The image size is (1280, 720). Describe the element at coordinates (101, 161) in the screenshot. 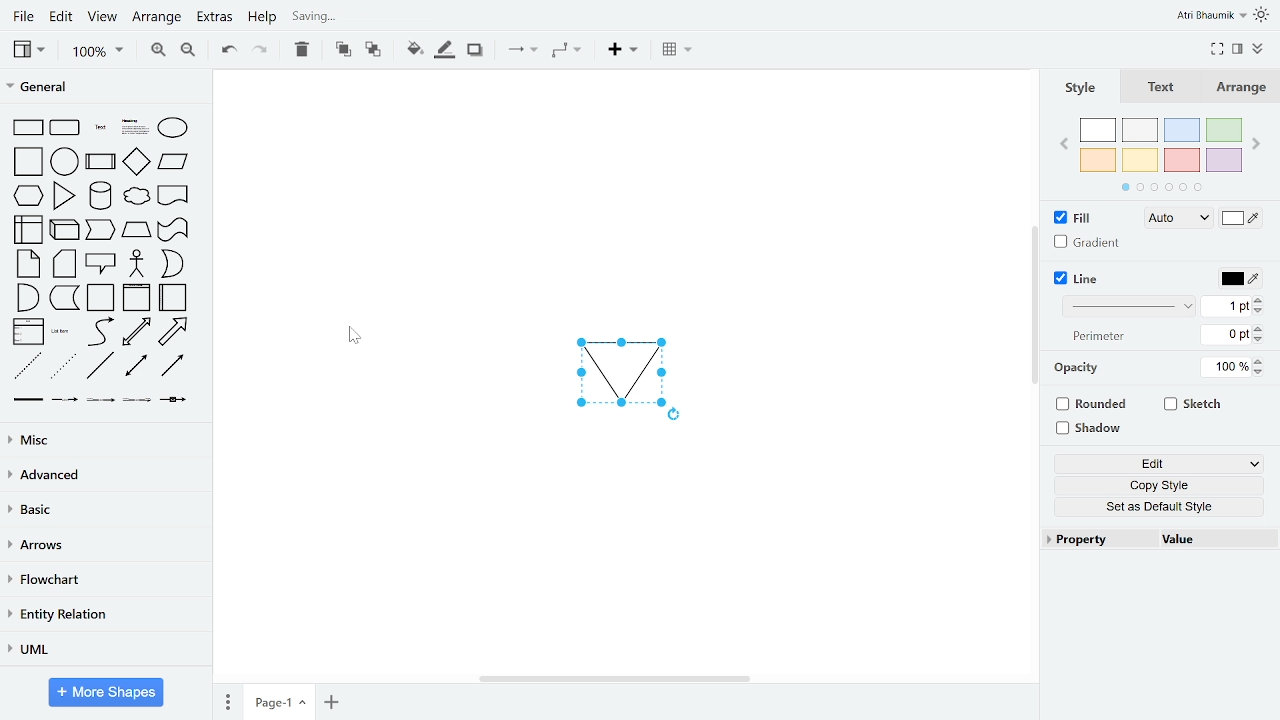

I see `process` at that location.